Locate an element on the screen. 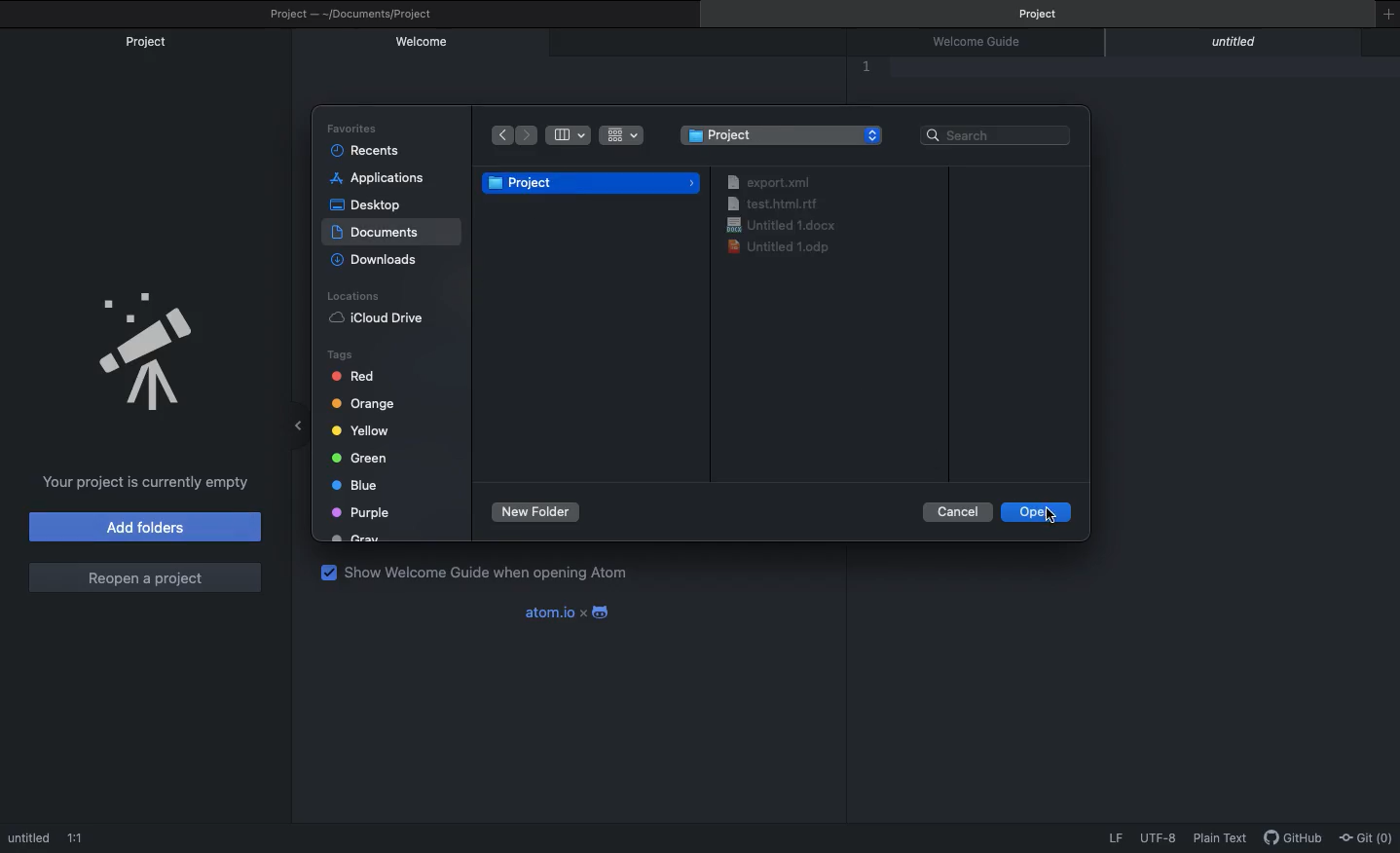 Image resolution: width=1400 pixels, height=853 pixels. Emblem is located at coordinates (158, 343).